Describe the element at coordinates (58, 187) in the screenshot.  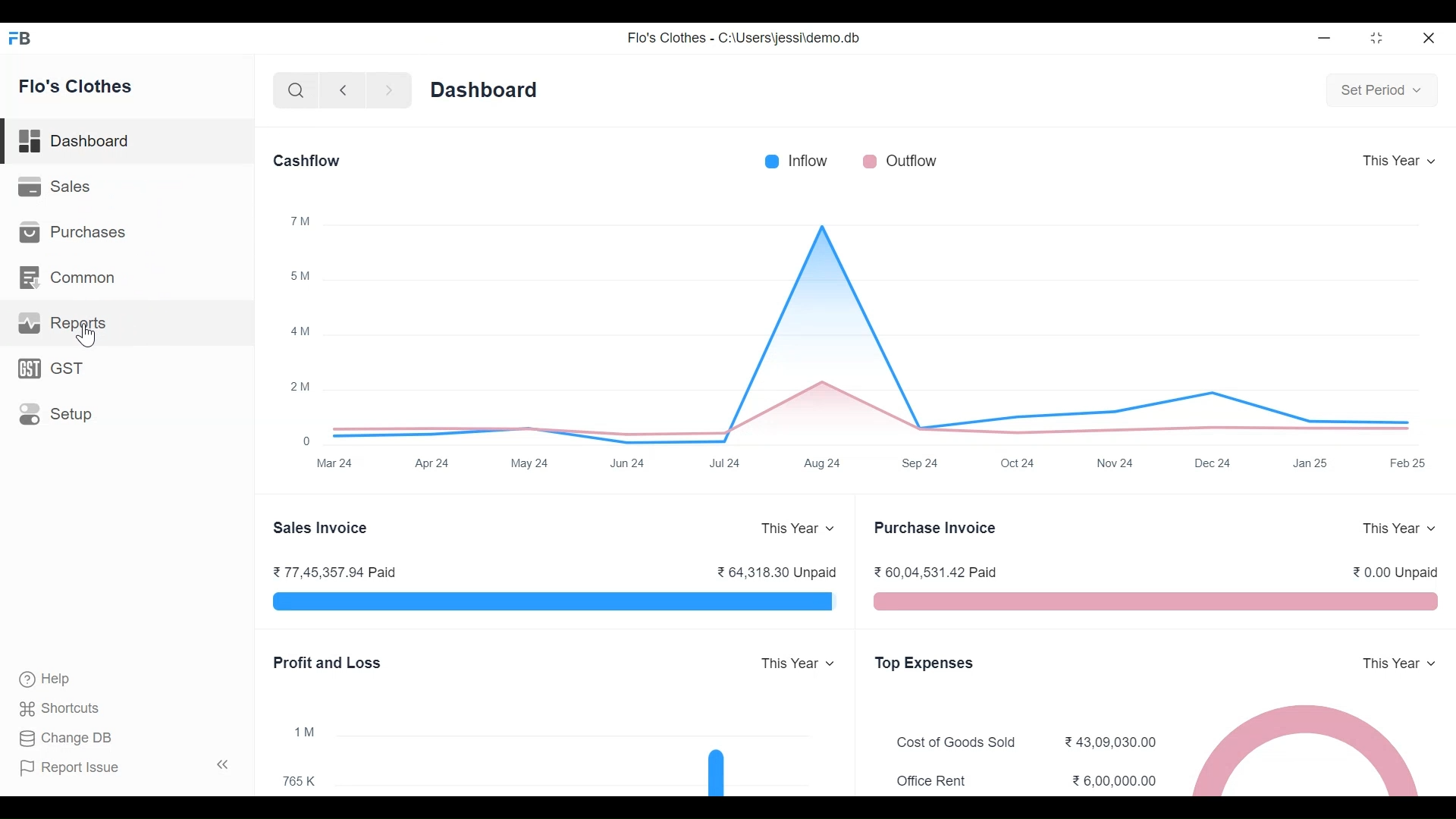
I see `Sales` at that location.